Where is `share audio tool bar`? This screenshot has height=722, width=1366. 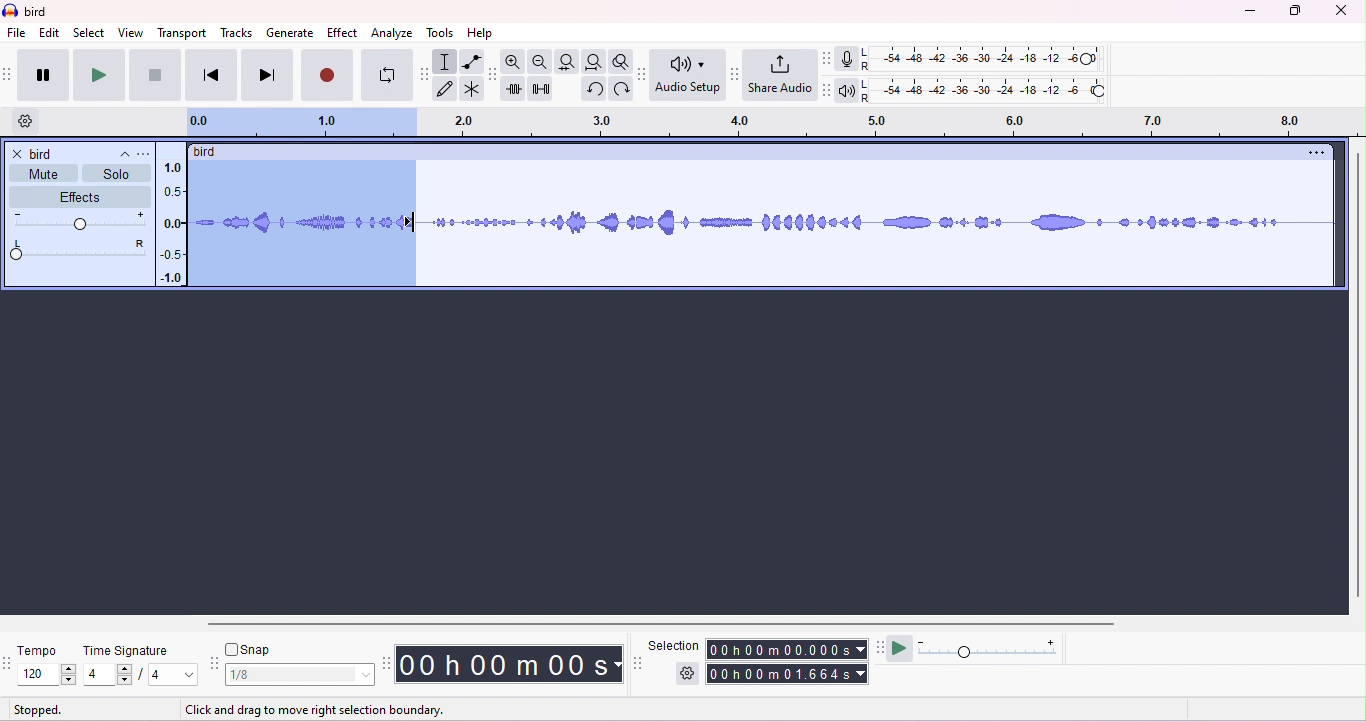 share audio tool bar is located at coordinates (736, 73).